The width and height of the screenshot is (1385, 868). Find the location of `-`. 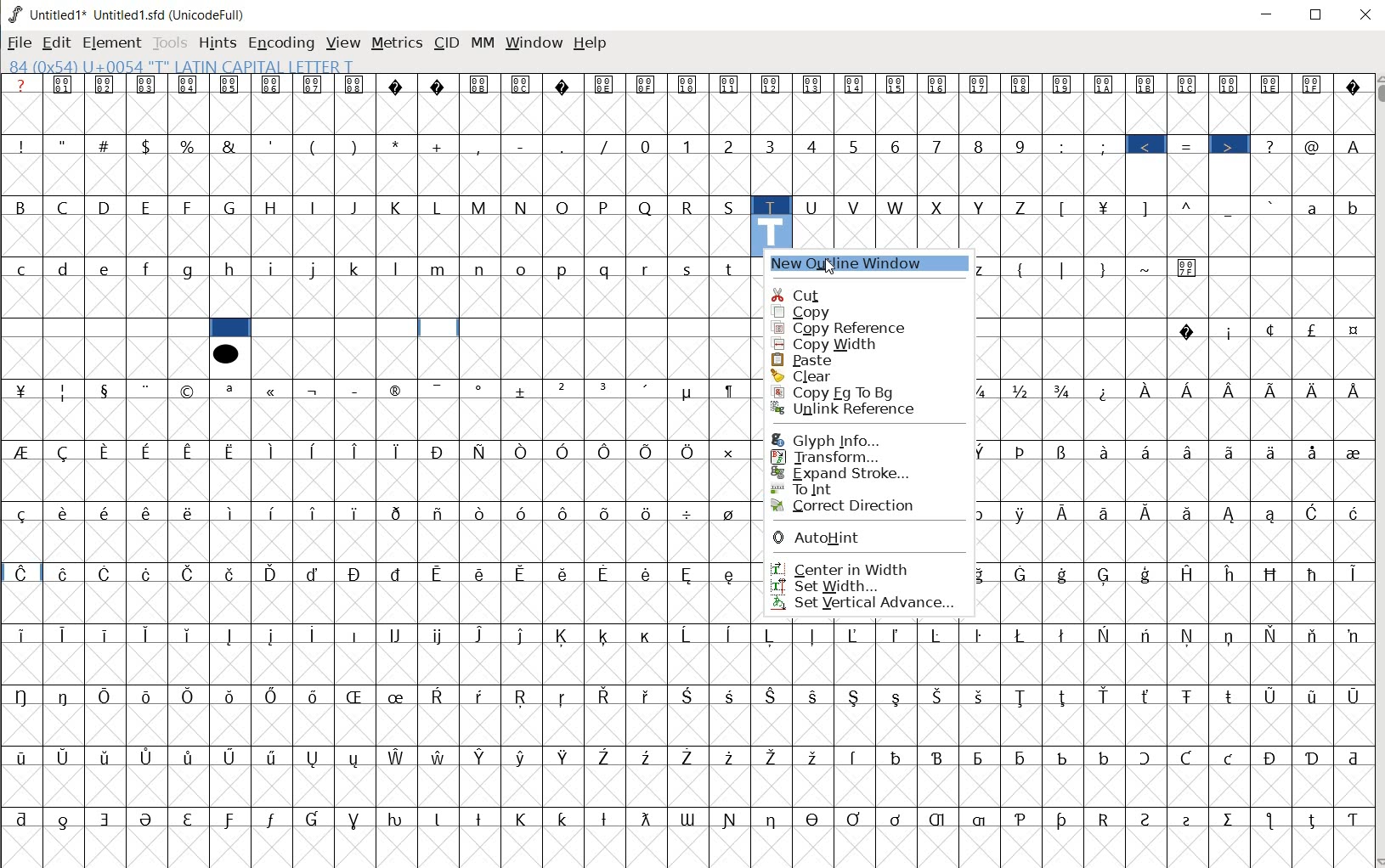

- is located at coordinates (521, 145).